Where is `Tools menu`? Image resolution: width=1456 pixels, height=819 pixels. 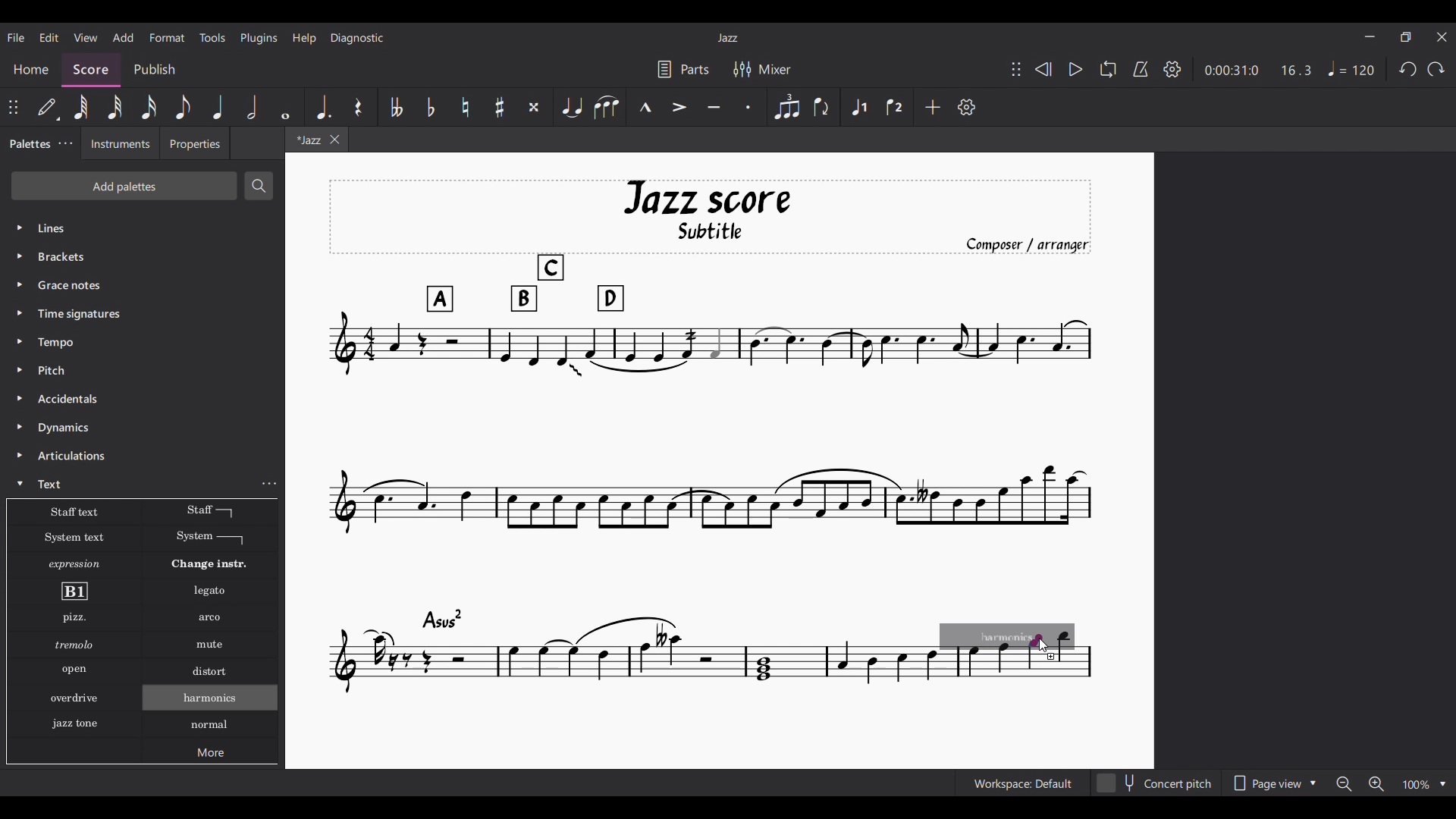 Tools menu is located at coordinates (213, 38).